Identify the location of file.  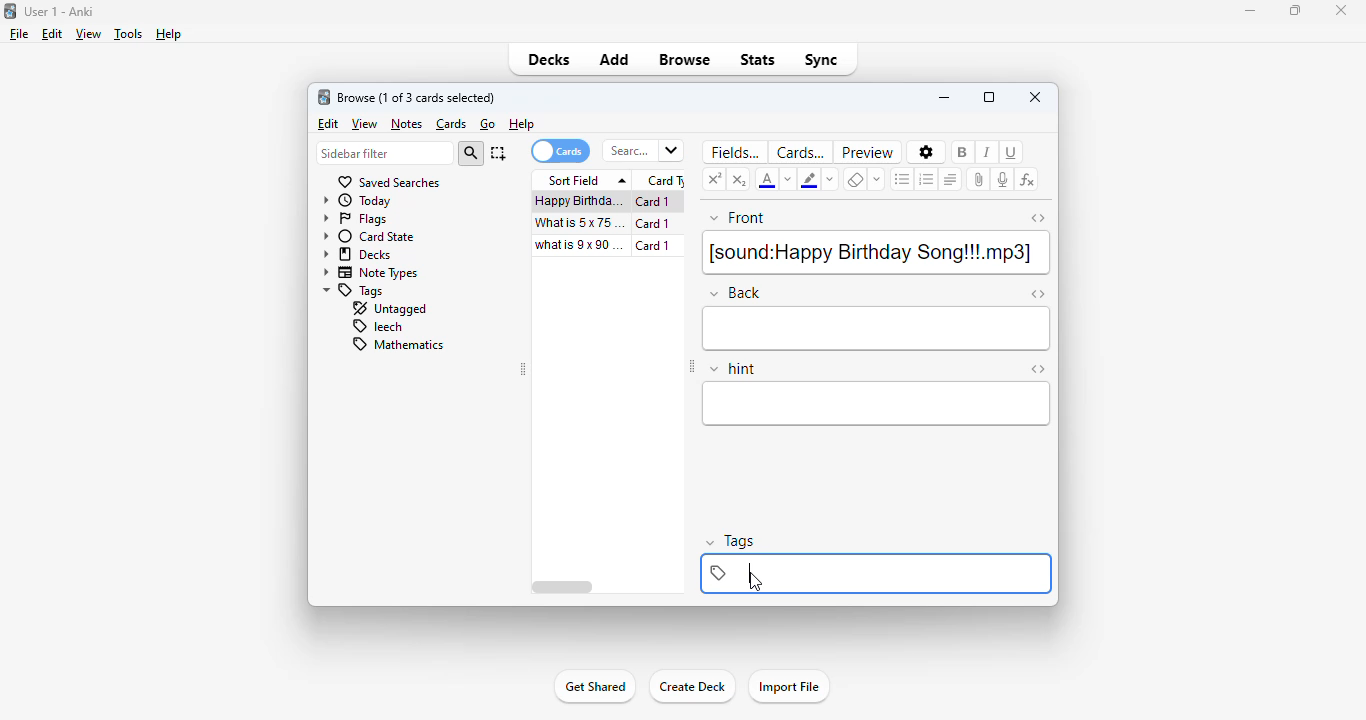
(19, 34).